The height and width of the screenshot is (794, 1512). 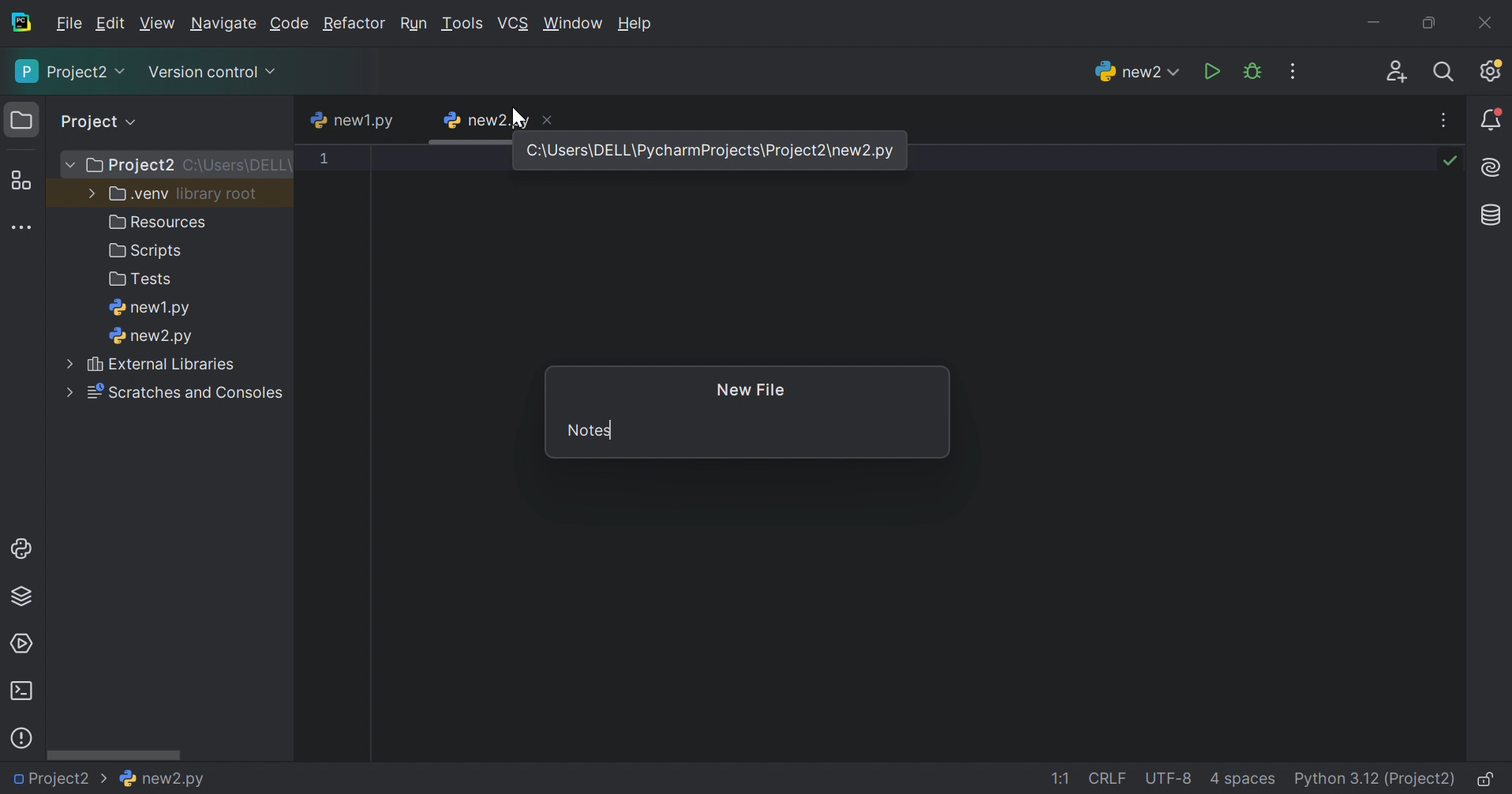 I want to click on No problems, so click(x=1454, y=160).